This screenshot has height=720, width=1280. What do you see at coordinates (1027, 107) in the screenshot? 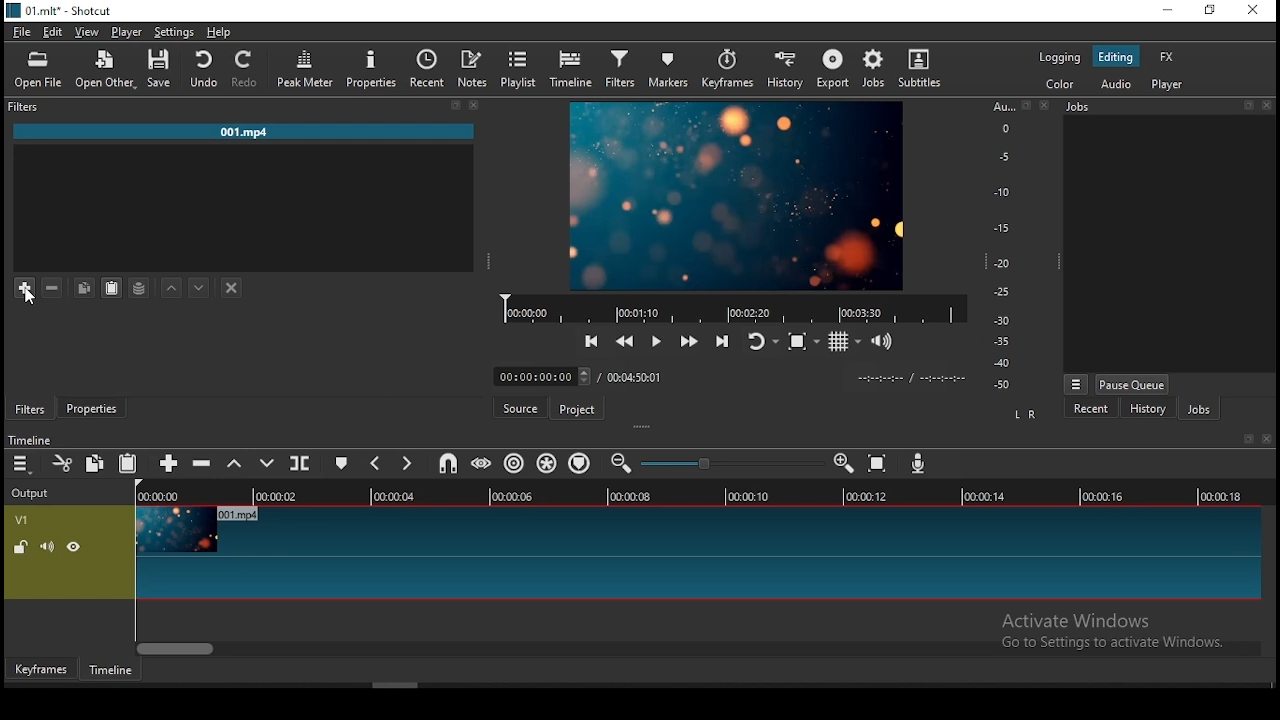
I see `fullscreen` at bounding box center [1027, 107].